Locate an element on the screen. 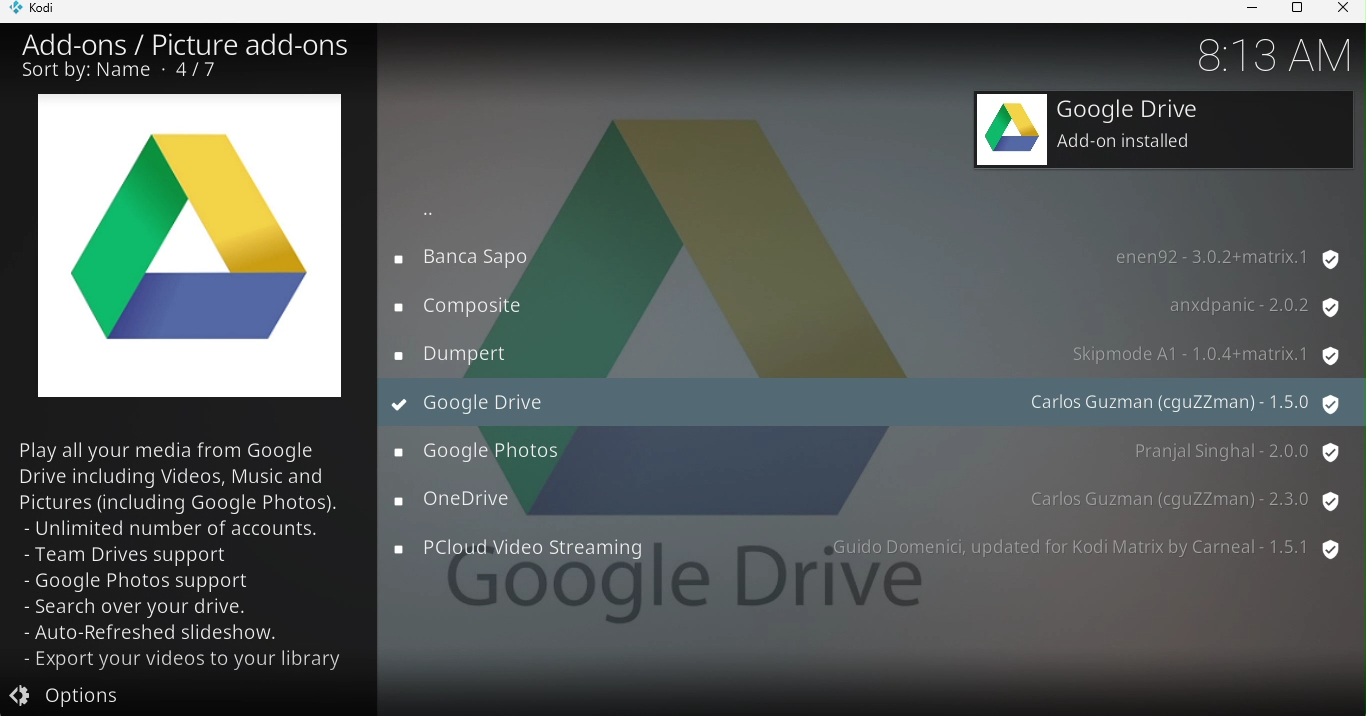 This screenshot has width=1366, height=716. Play all you media from Google Drive including videos, Music and pictures (including google photos). -Unlimited number of accounts - Team Drives support - Google photos support Search over your drive - Auto-refreshed slideshow - Export your videos to your library is located at coordinates (184, 555).